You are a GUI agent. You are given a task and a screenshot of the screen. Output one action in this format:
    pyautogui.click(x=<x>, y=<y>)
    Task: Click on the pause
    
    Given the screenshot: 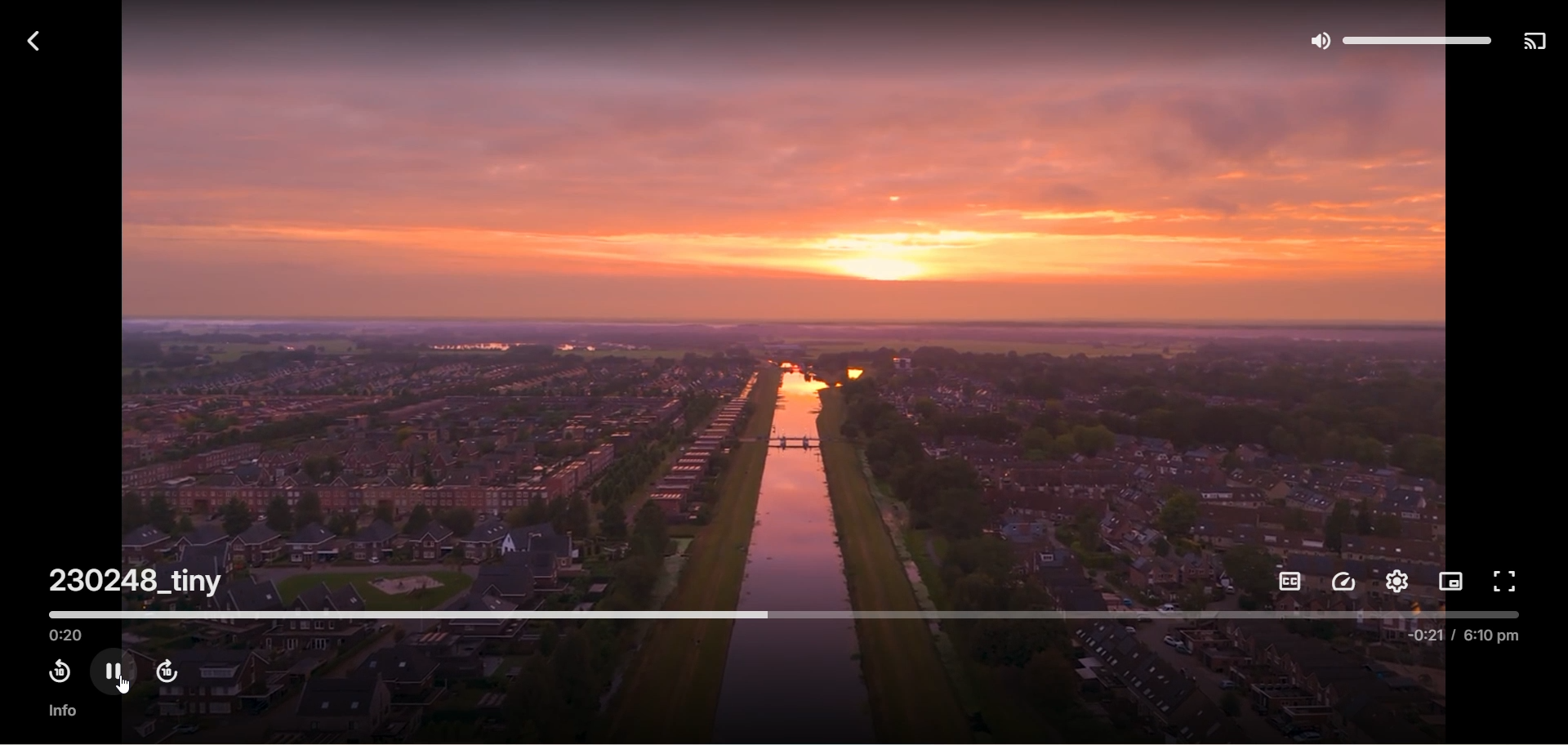 What is the action you would take?
    pyautogui.click(x=120, y=677)
    